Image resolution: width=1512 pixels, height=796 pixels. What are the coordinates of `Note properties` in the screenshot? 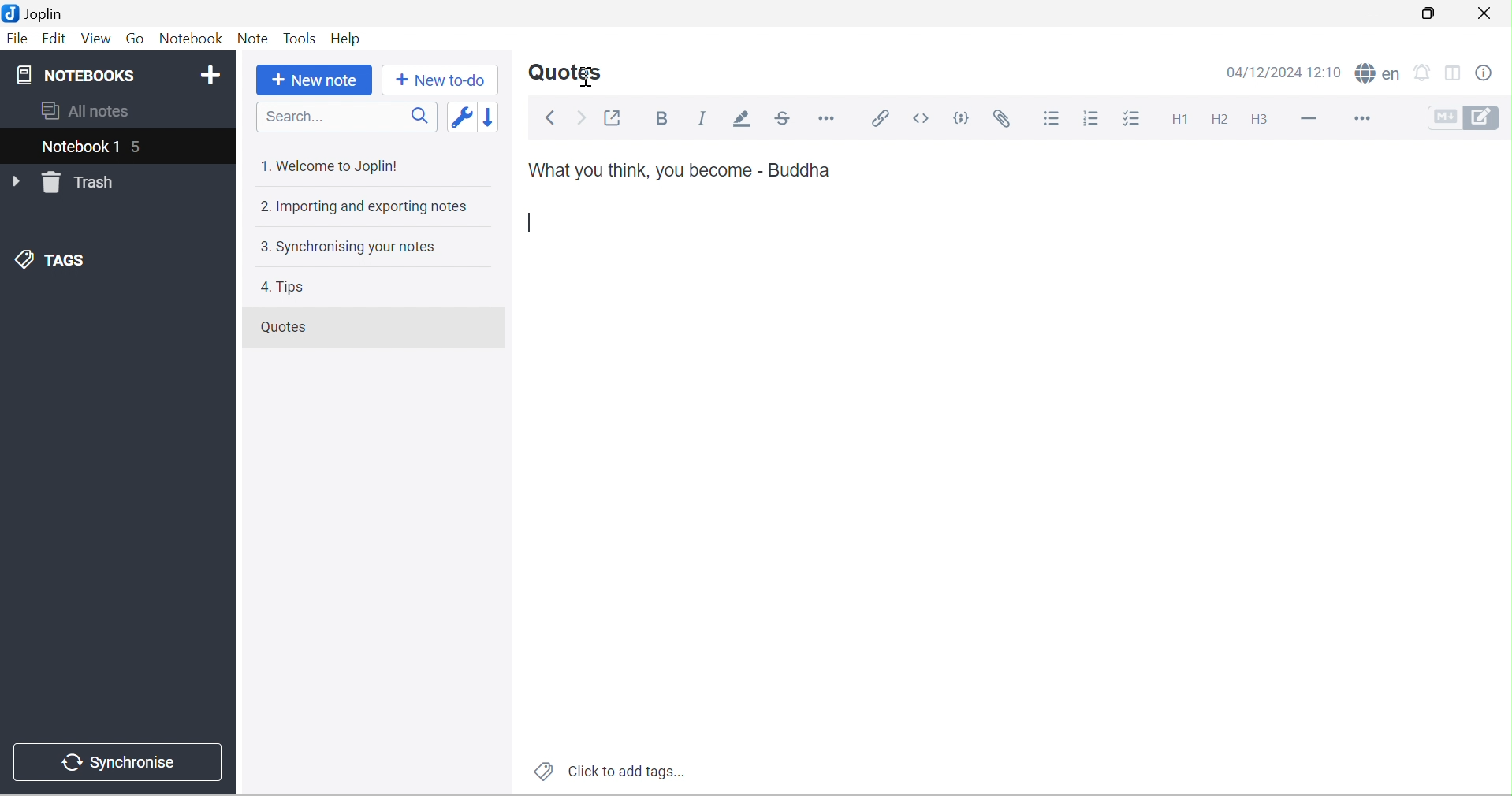 It's located at (1494, 70).